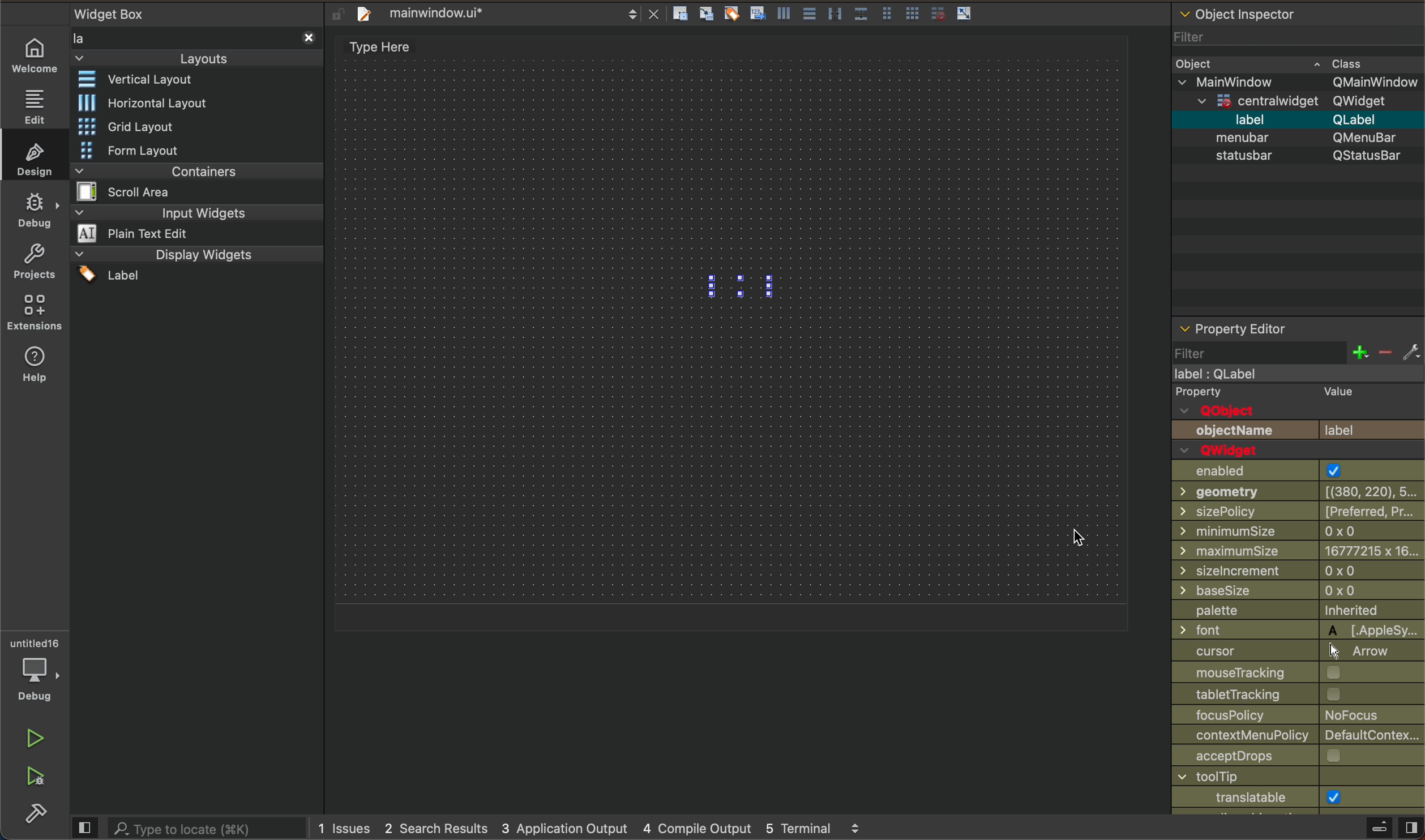 The image size is (1425, 840). What do you see at coordinates (570, 828) in the screenshot?
I see `3application output` at bounding box center [570, 828].